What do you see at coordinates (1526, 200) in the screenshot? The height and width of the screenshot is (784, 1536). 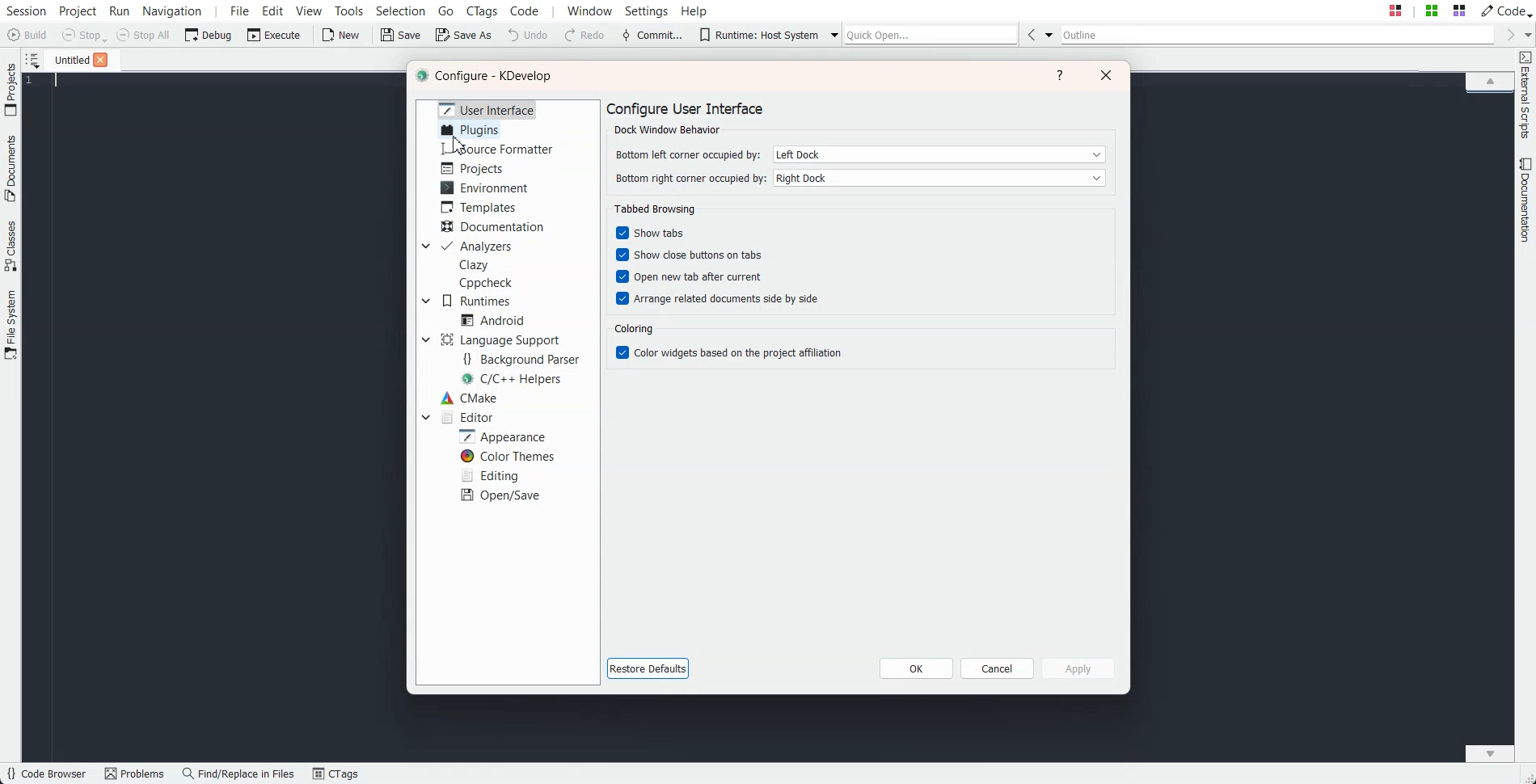 I see `Documentation` at bounding box center [1526, 200].